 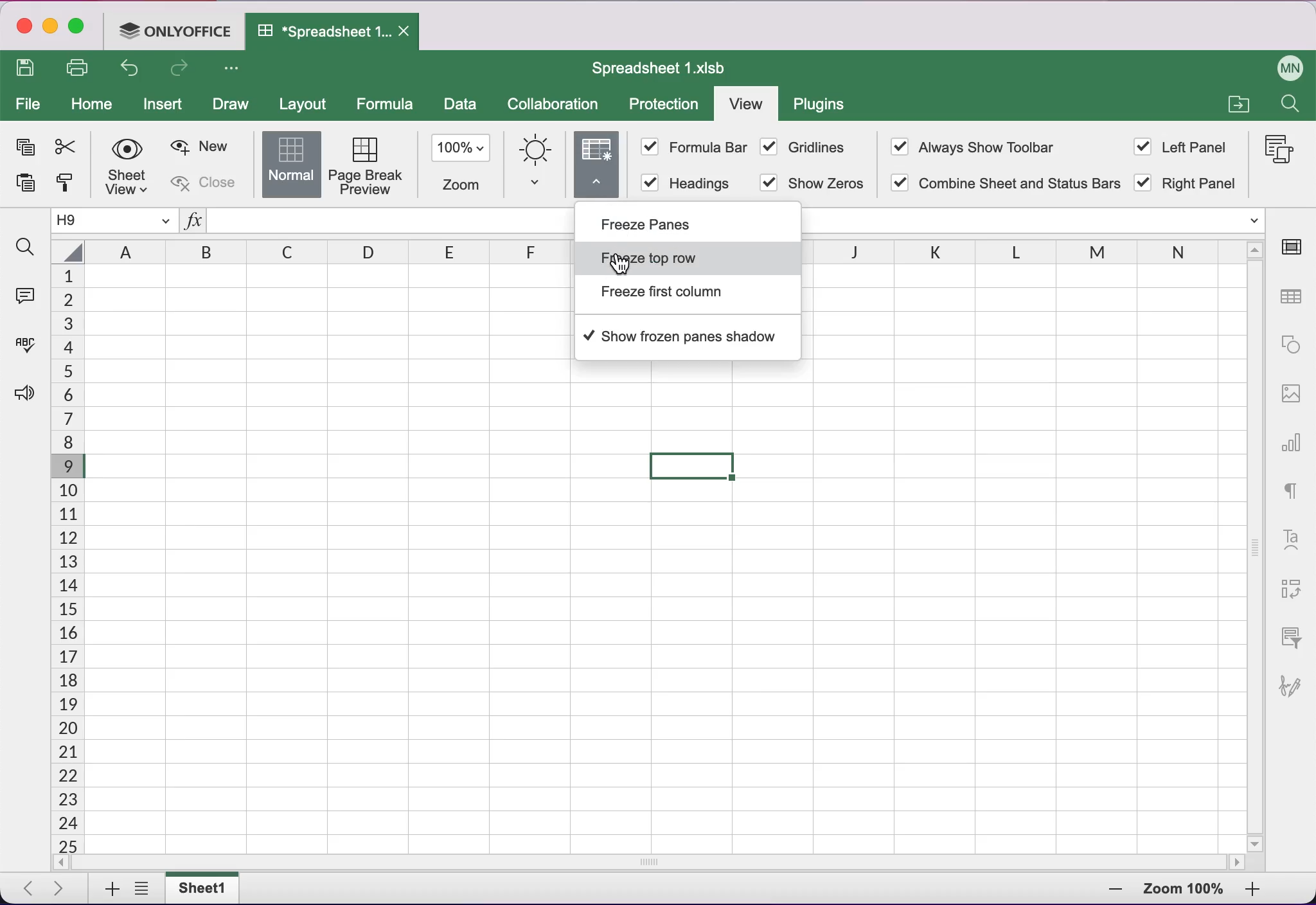 I want to click on vertical slider, so click(x=1255, y=546).